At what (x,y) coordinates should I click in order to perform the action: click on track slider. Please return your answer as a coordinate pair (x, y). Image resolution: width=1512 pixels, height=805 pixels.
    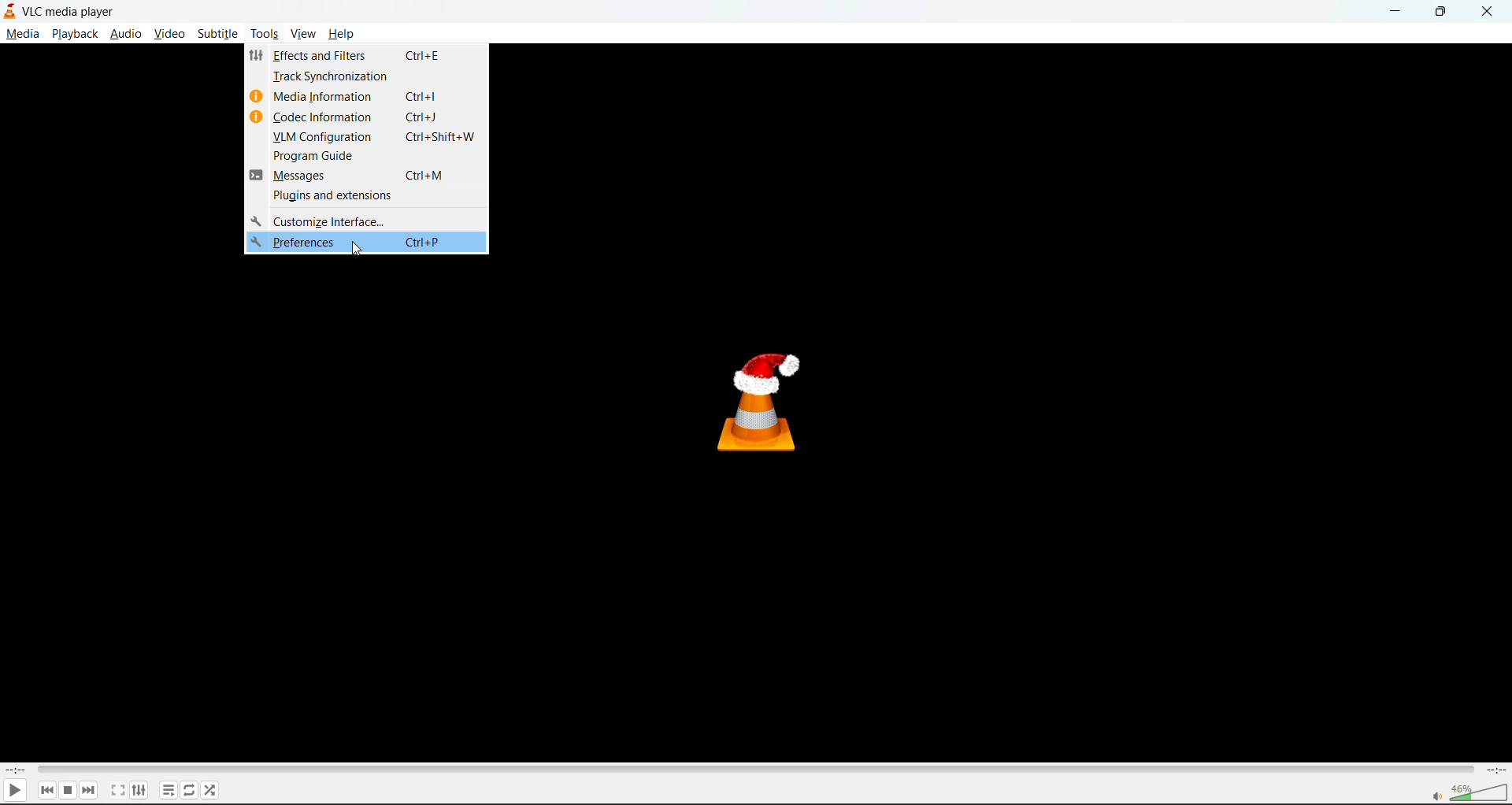
    Looking at the image, I should click on (751, 768).